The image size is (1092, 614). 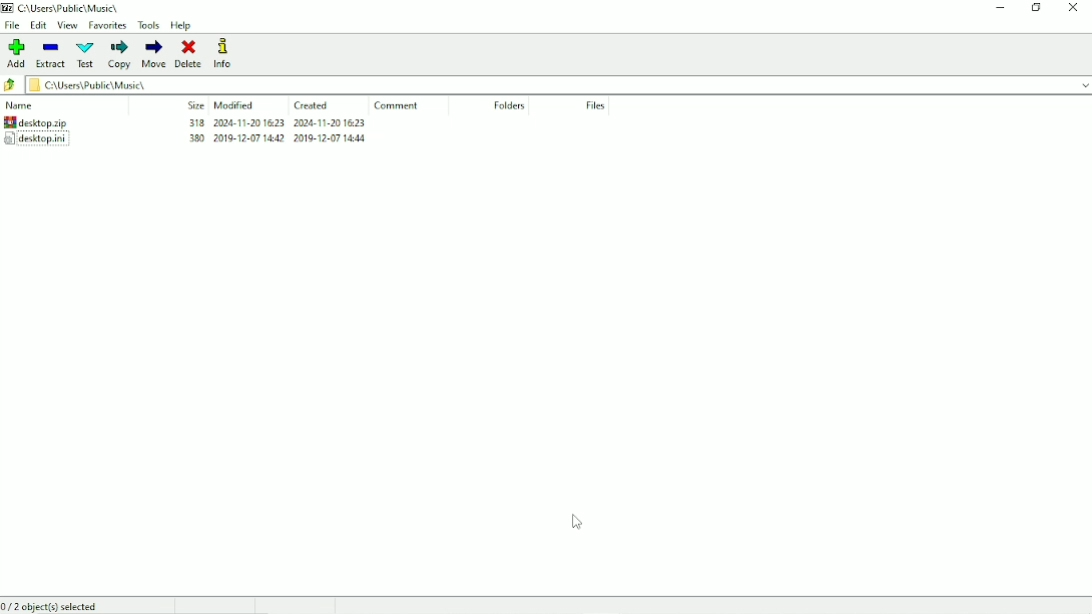 What do you see at coordinates (68, 25) in the screenshot?
I see `View` at bounding box center [68, 25].